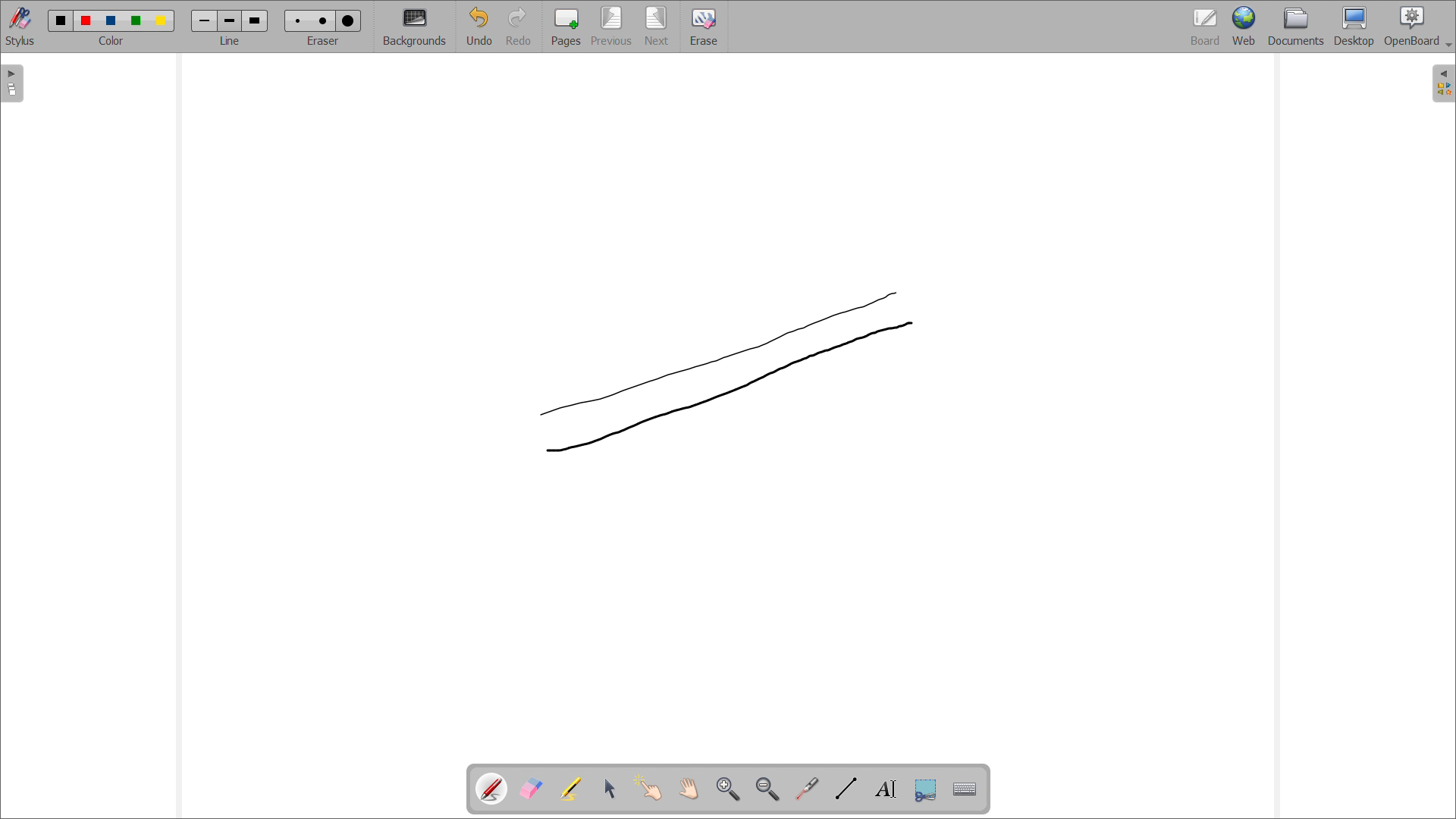 This screenshot has width=1456, height=819. I want to click on select color, so click(110, 41).